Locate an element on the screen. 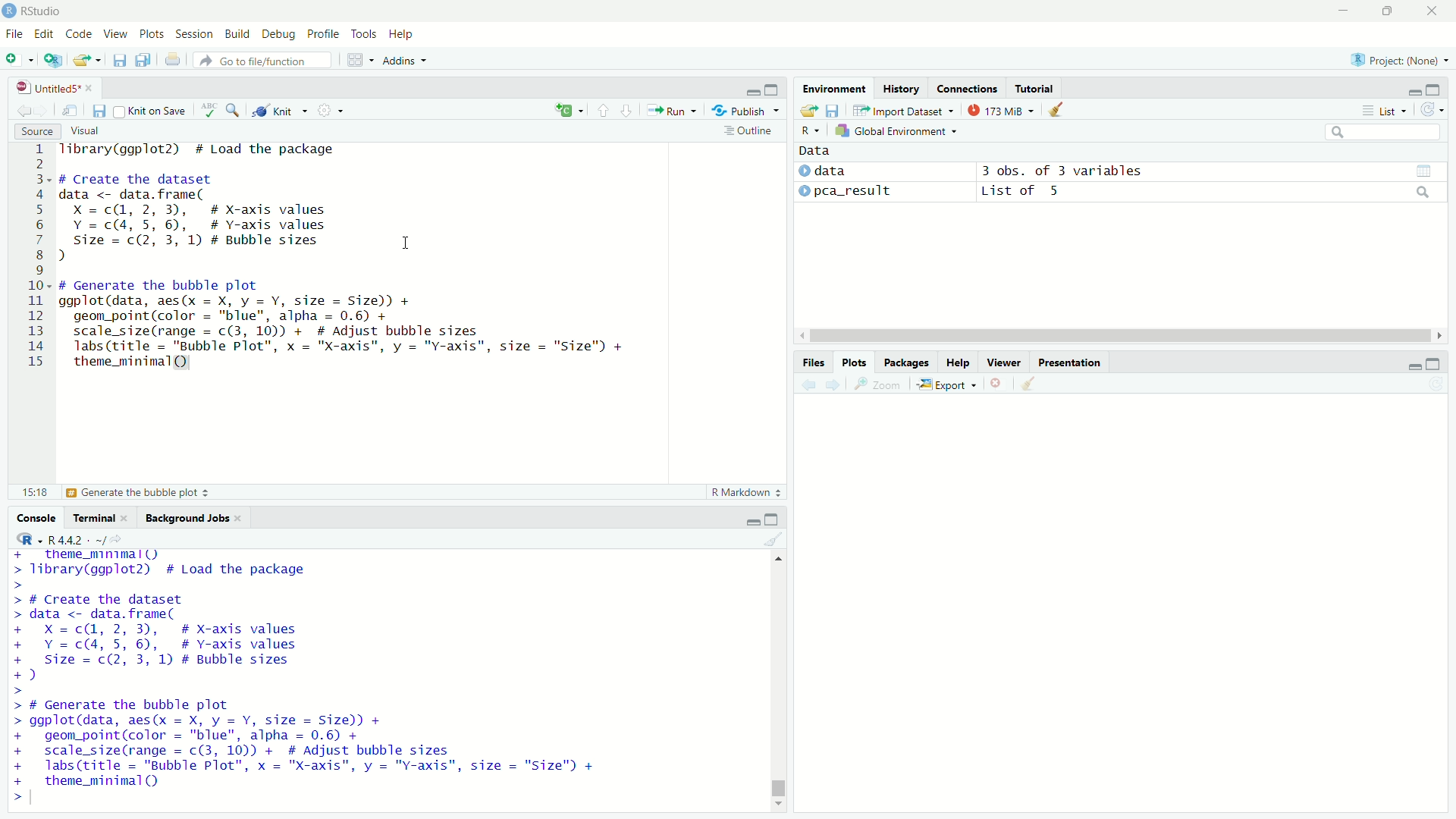 The image size is (1456, 819). clear console is located at coordinates (775, 538).